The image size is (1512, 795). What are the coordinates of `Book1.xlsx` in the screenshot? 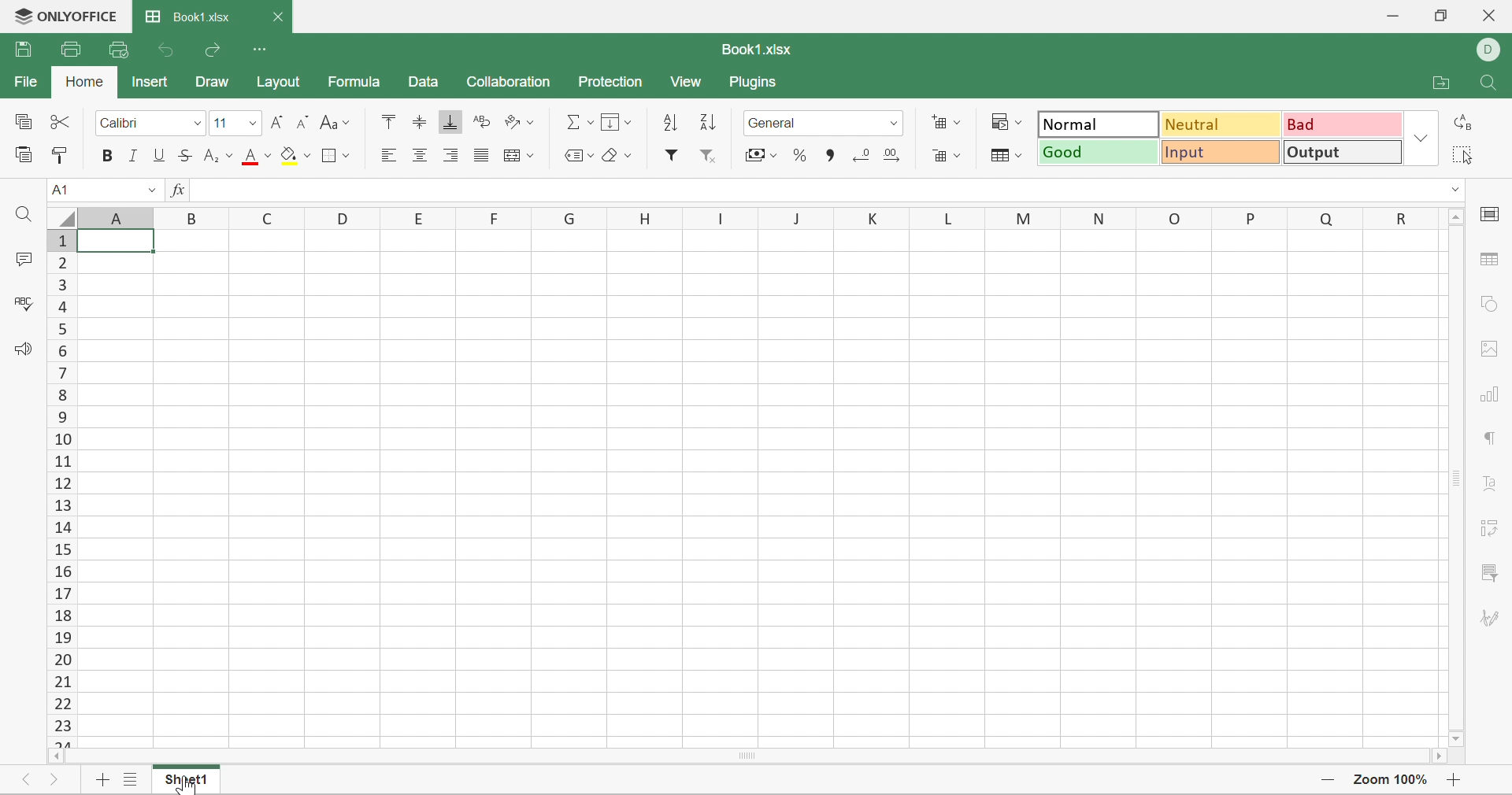 It's located at (756, 50).